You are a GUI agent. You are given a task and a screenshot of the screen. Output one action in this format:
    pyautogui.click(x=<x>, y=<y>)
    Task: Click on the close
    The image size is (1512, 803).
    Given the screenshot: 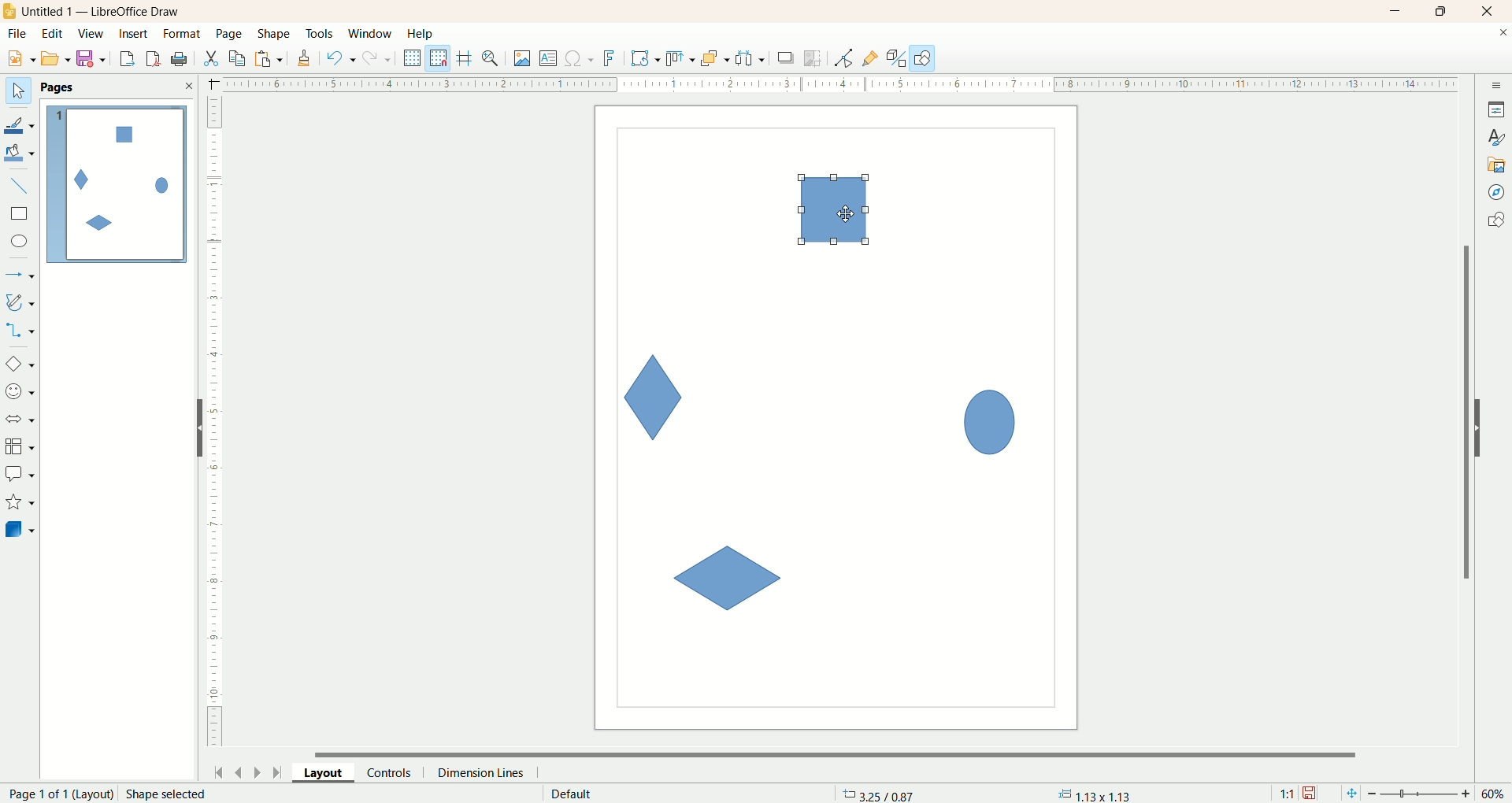 What is the action you would take?
    pyautogui.click(x=1503, y=35)
    